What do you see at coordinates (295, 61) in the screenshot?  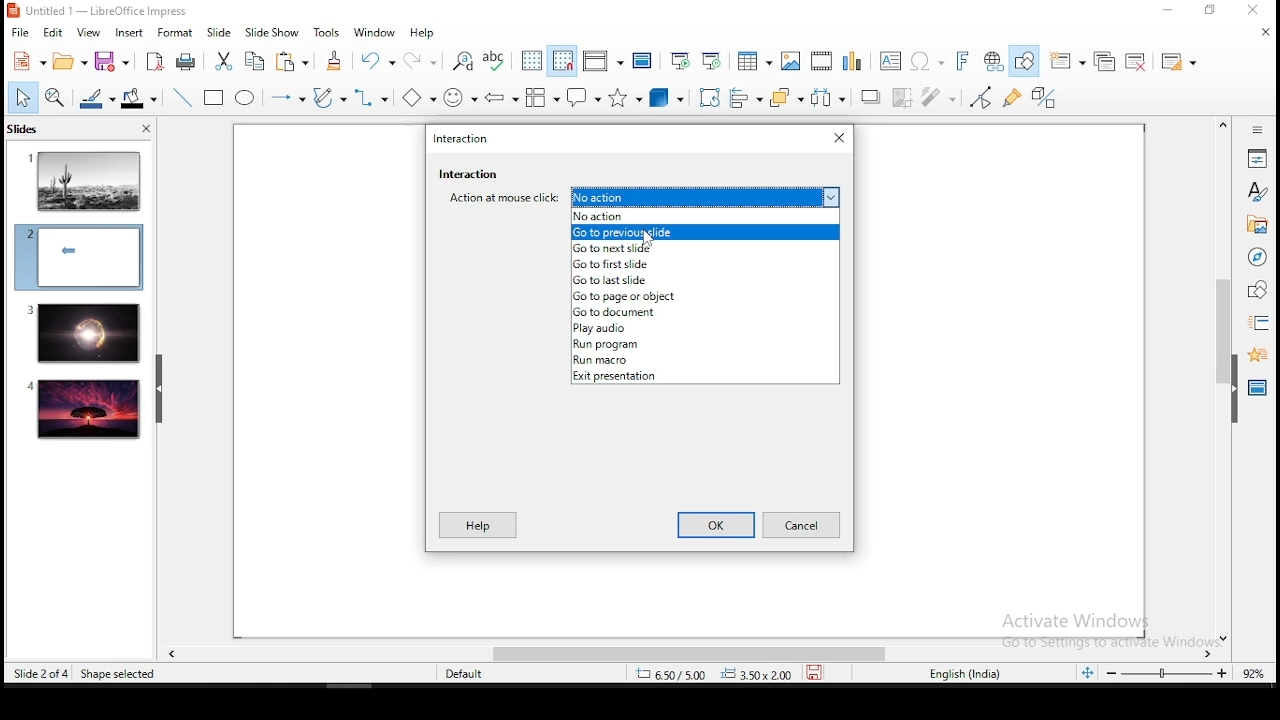 I see `paste` at bounding box center [295, 61].